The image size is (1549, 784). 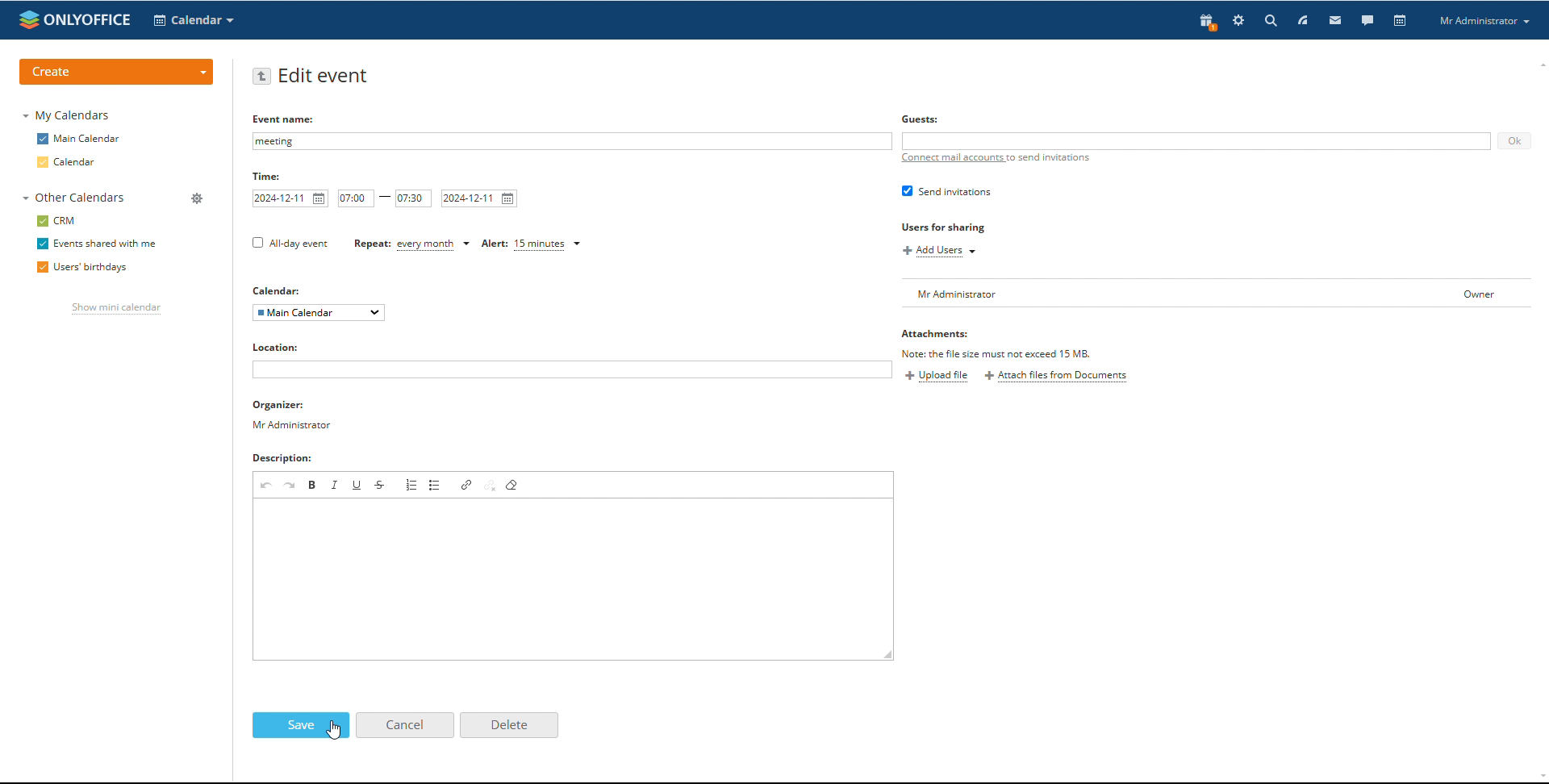 What do you see at coordinates (78, 138) in the screenshot?
I see `main calendars` at bounding box center [78, 138].